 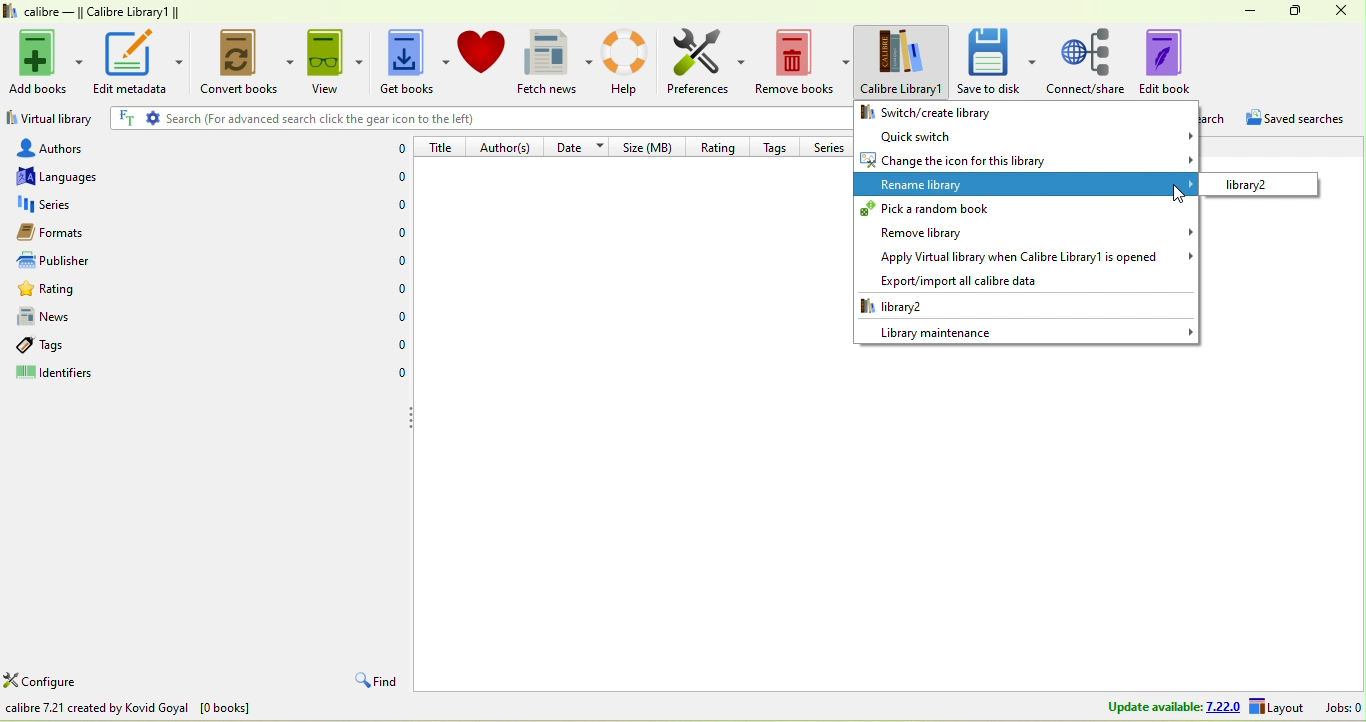 I want to click on save to disk, so click(x=997, y=60).